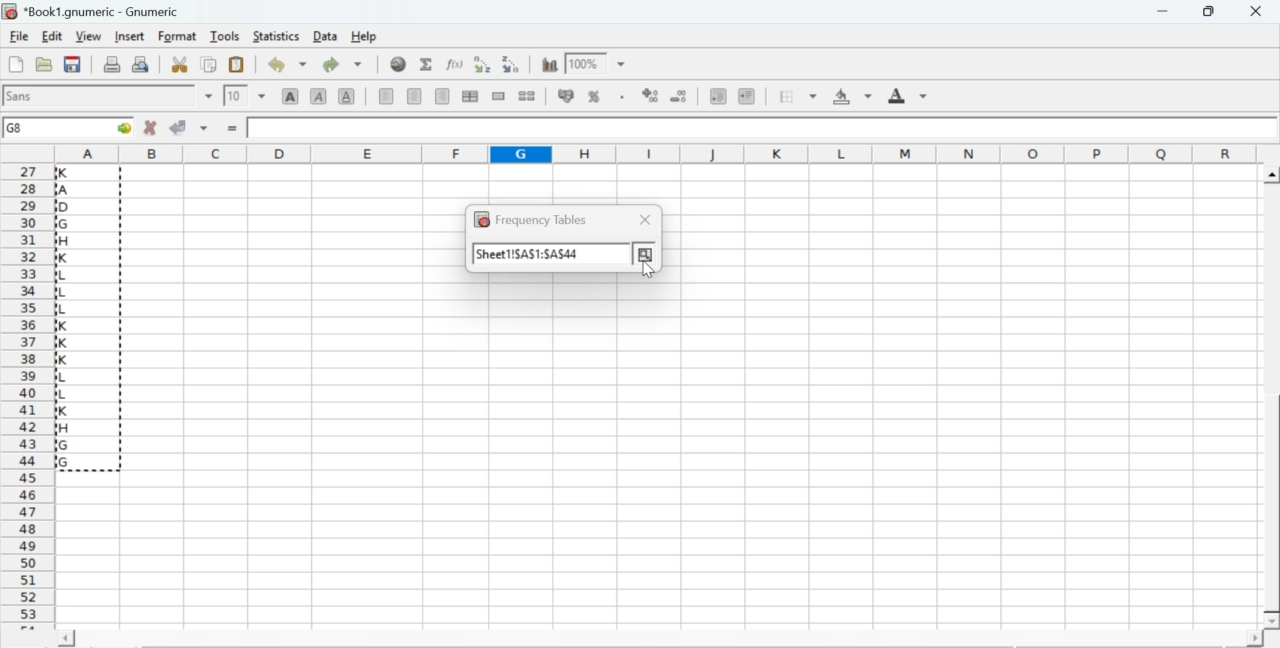 The image size is (1280, 648). Describe the element at coordinates (648, 268) in the screenshot. I see `cursor` at that location.